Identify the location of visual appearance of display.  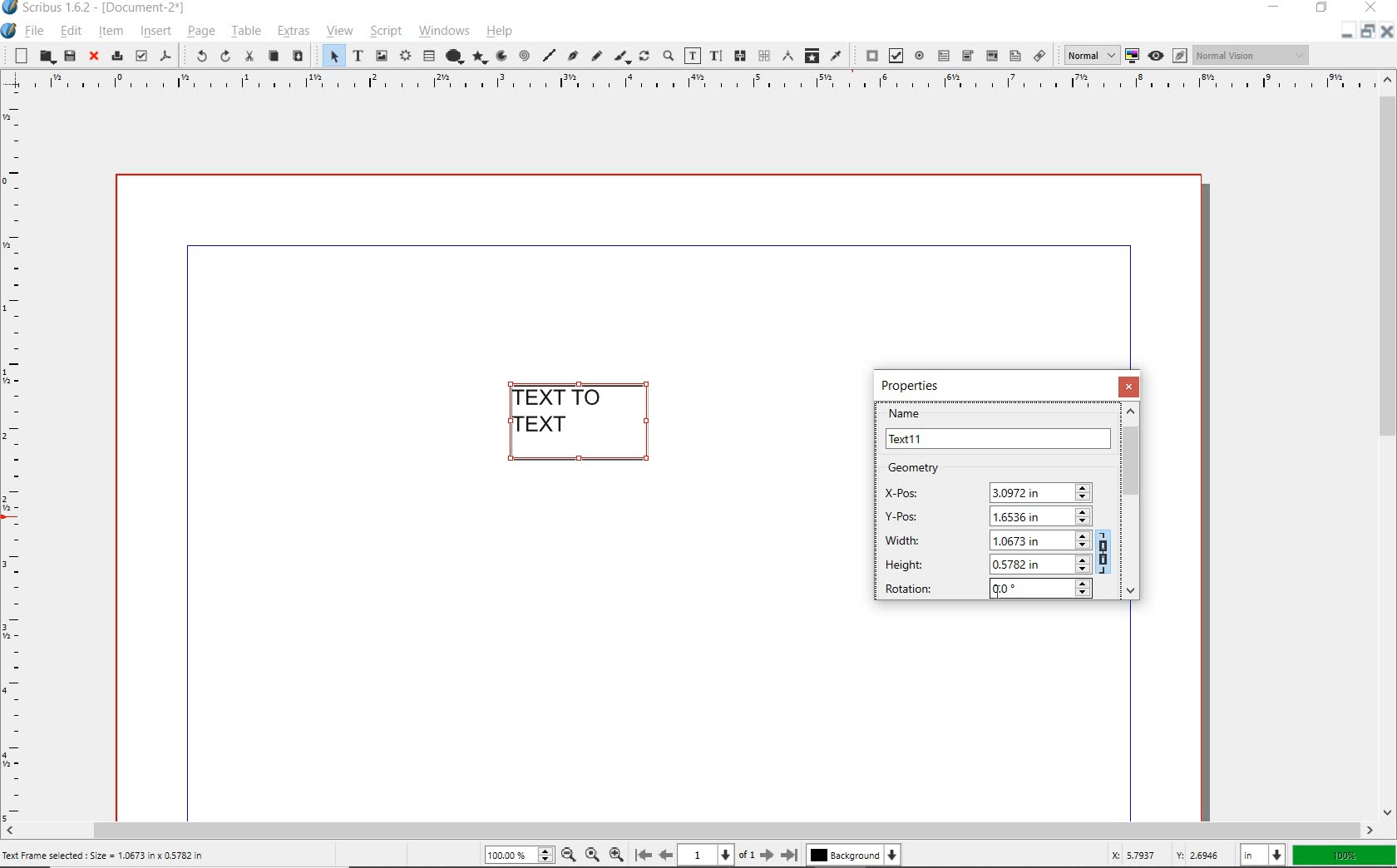
(1251, 55).